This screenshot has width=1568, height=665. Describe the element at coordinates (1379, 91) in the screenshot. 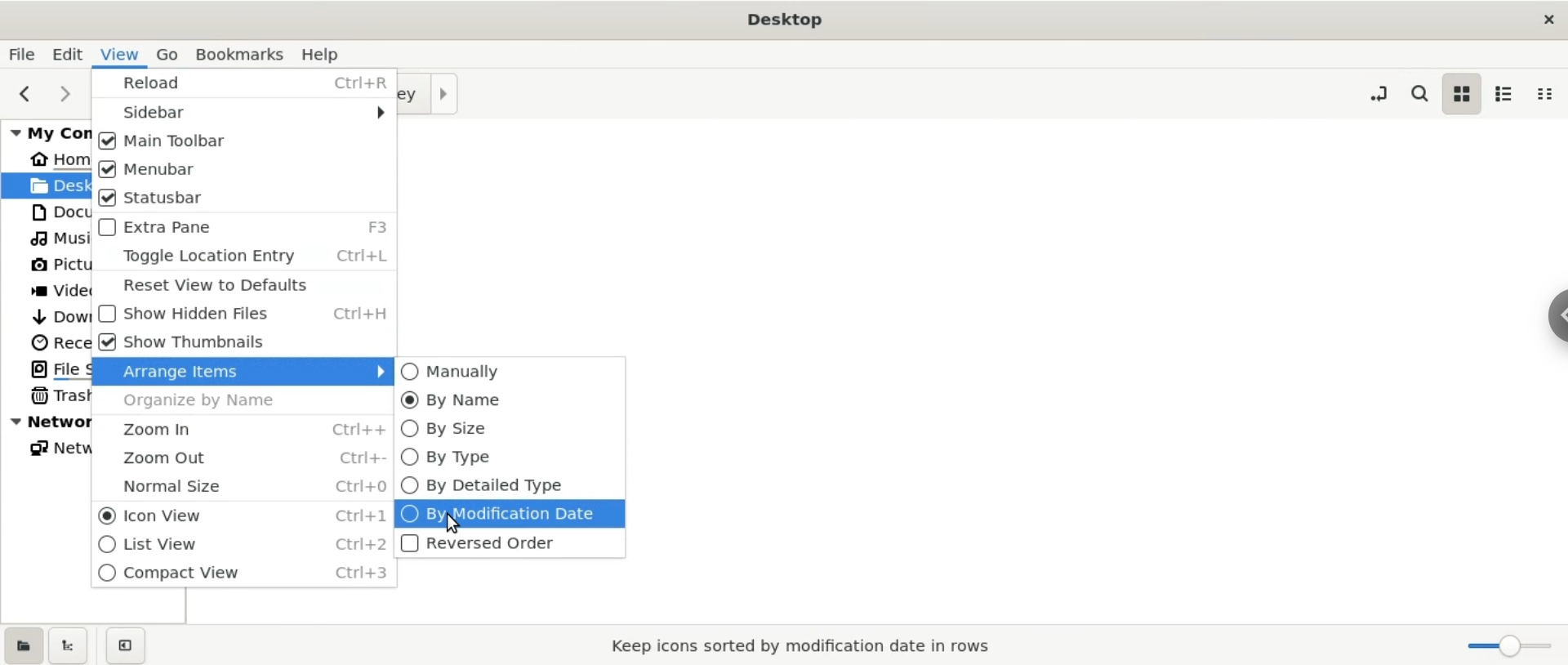

I see `toggle location entry` at that location.